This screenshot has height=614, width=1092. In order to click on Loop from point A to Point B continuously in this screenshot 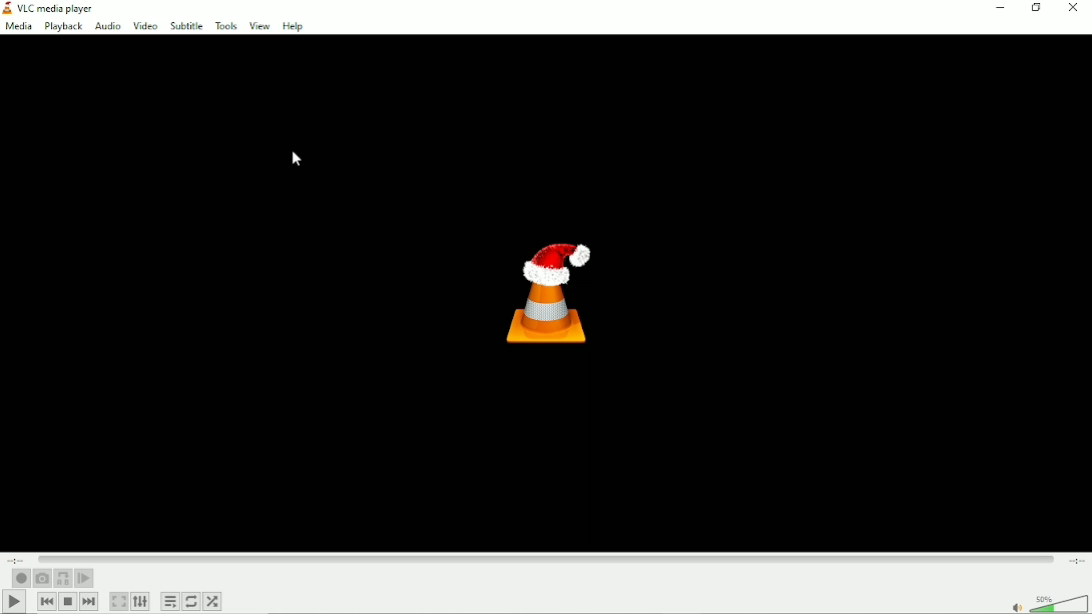, I will do `click(63, 578)`.